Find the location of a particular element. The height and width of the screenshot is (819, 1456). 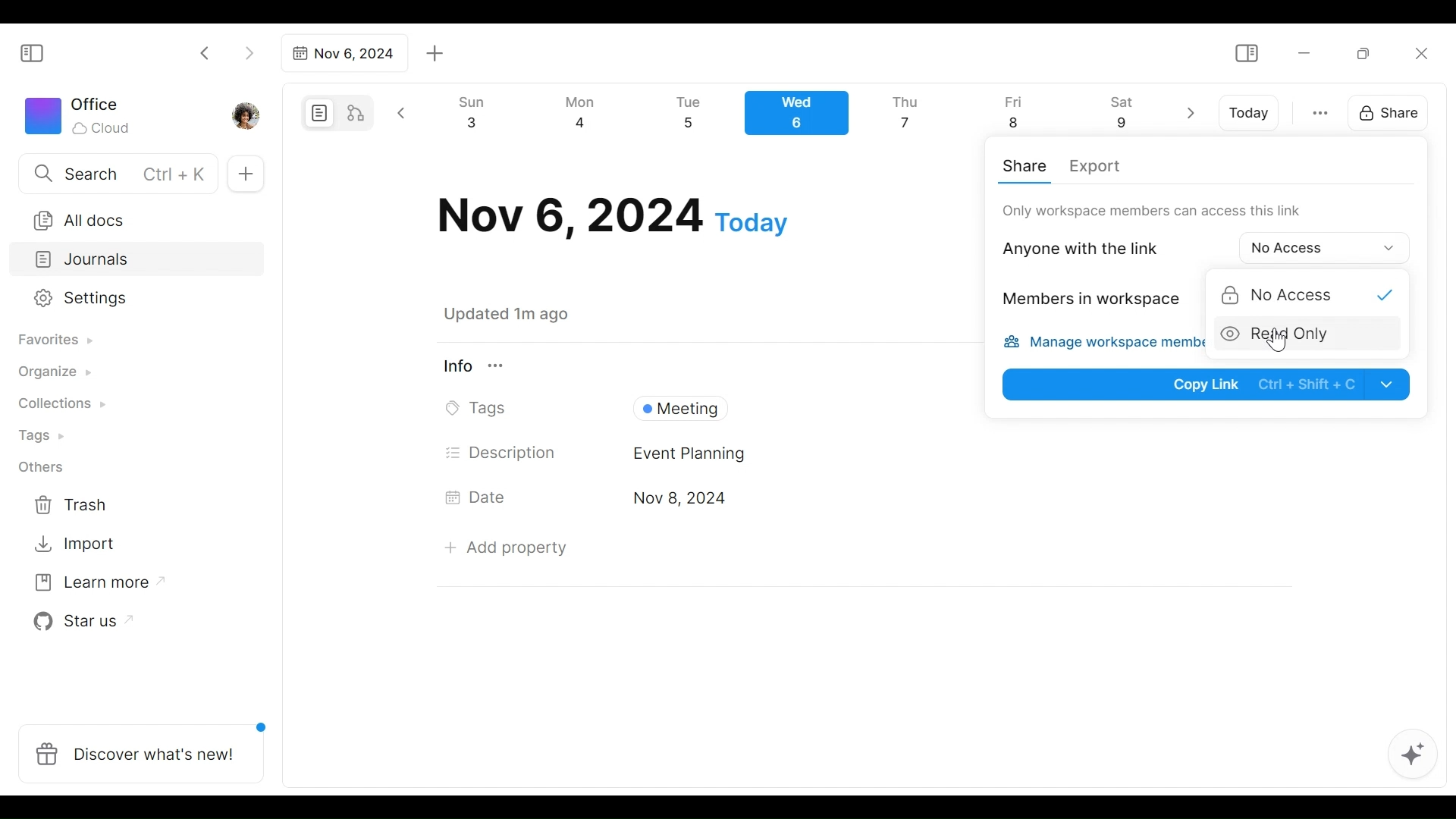

Star us is located at coordinates (79, 622).